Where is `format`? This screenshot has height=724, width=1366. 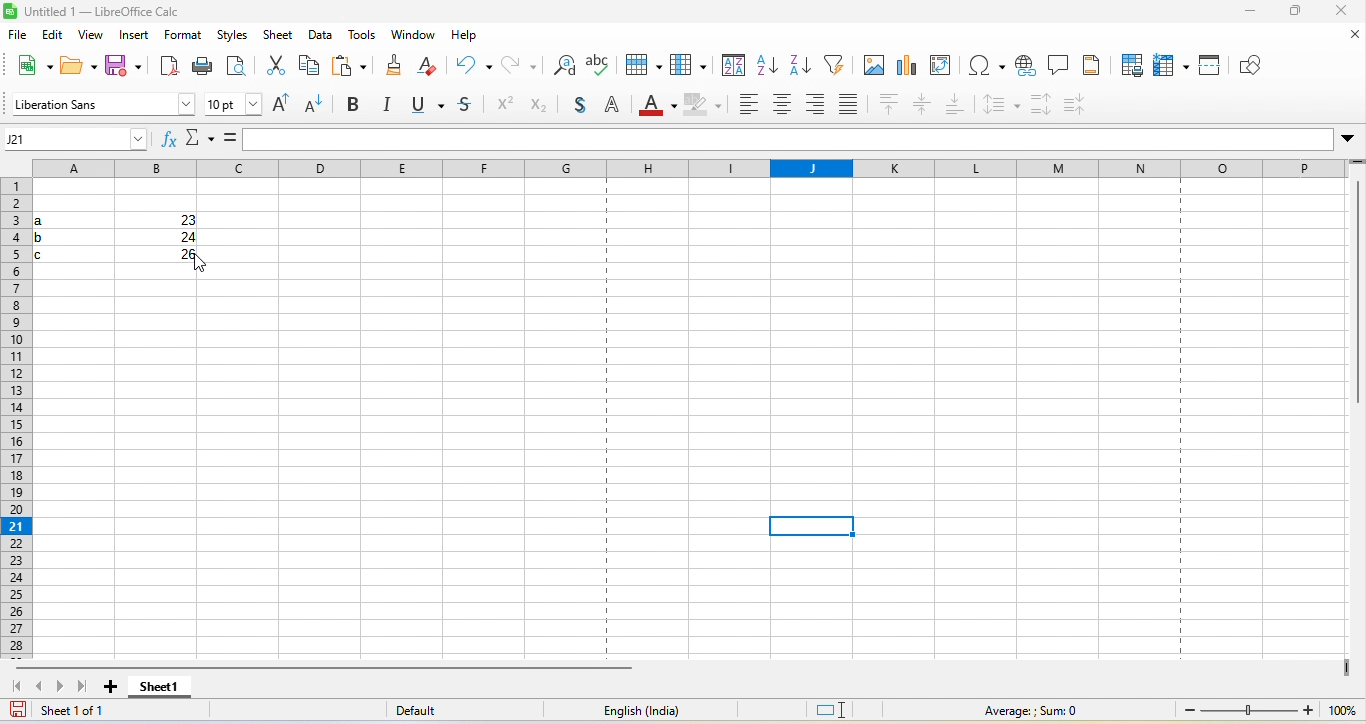
format is located at coordinates (186, 36).